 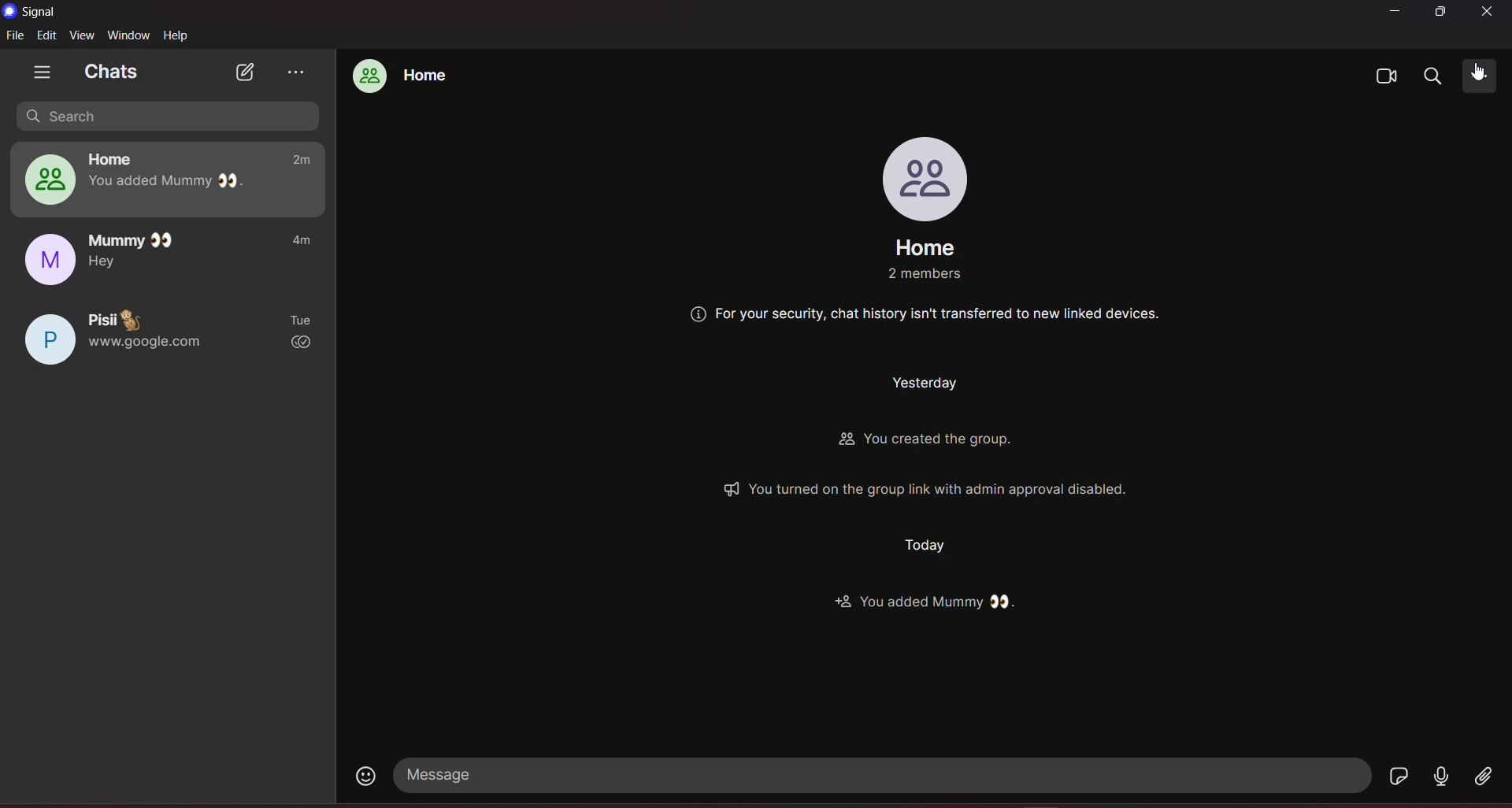 What do you see at coordinates (925, 547) in the screenshot?
I see `` at bounding box center [925, 547].